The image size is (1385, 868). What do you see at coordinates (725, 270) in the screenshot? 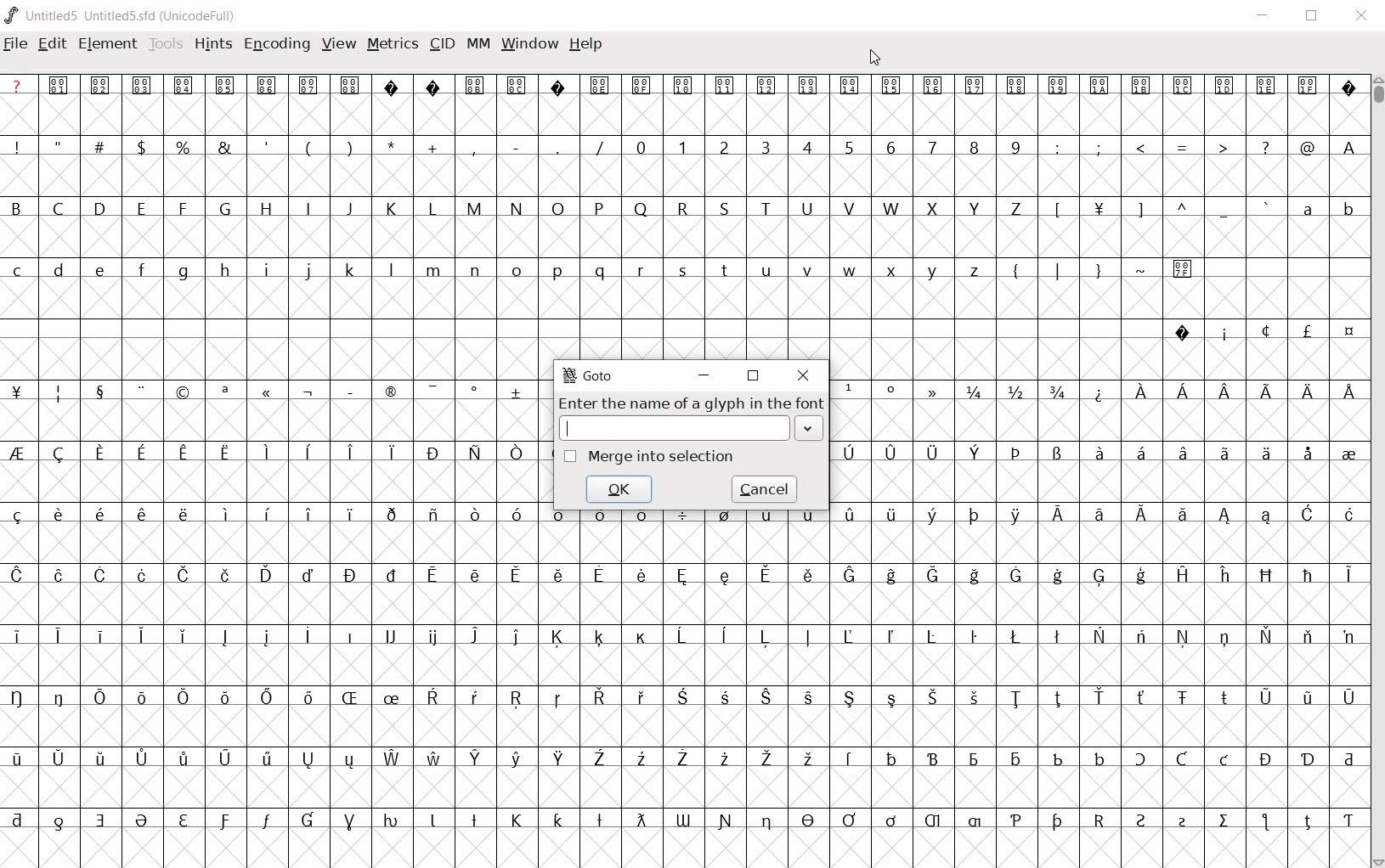
I see `t` at bounding box center [725, 270].